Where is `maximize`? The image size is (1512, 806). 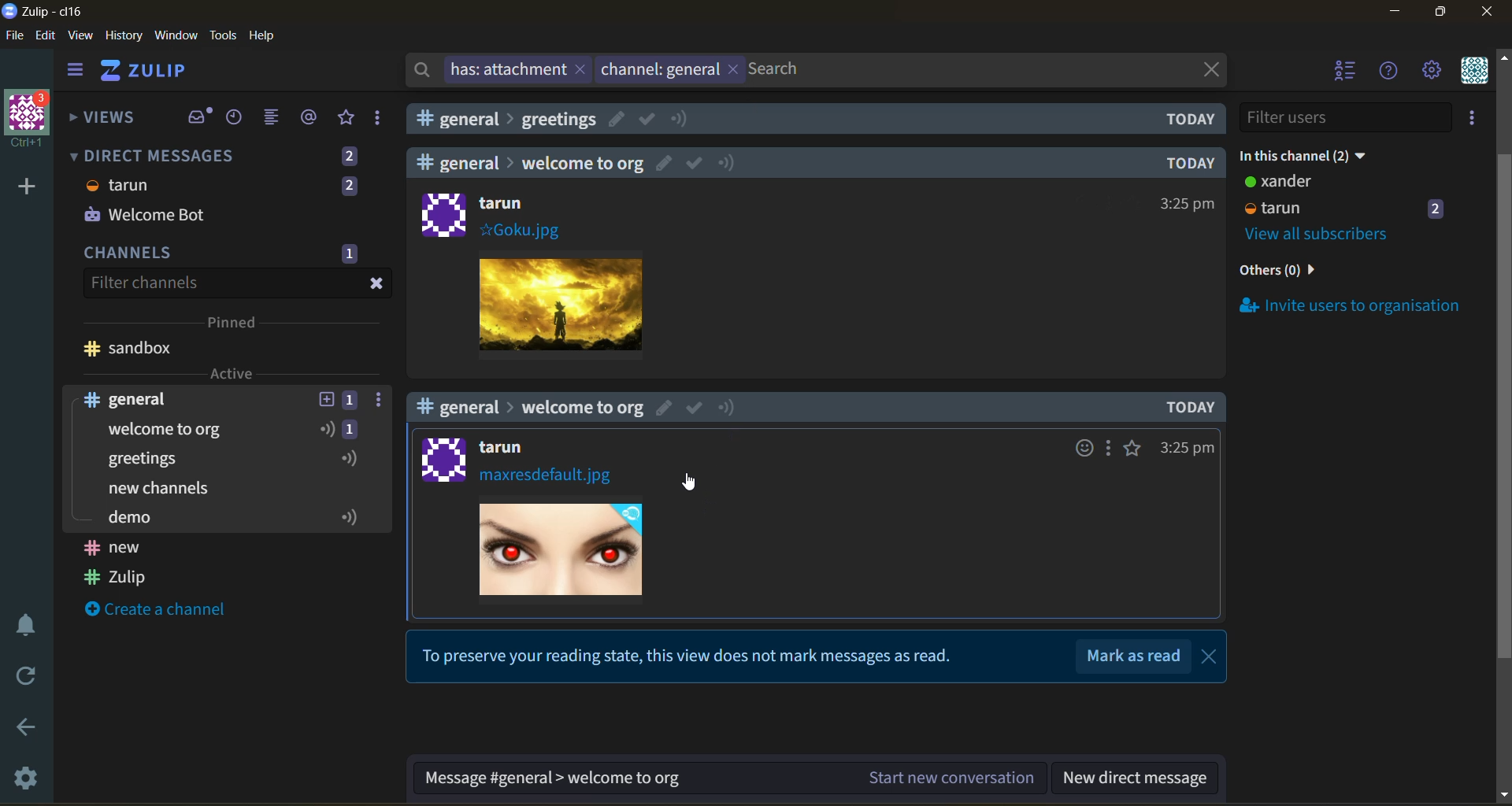
maximize is located at coordinates (1444, 12).